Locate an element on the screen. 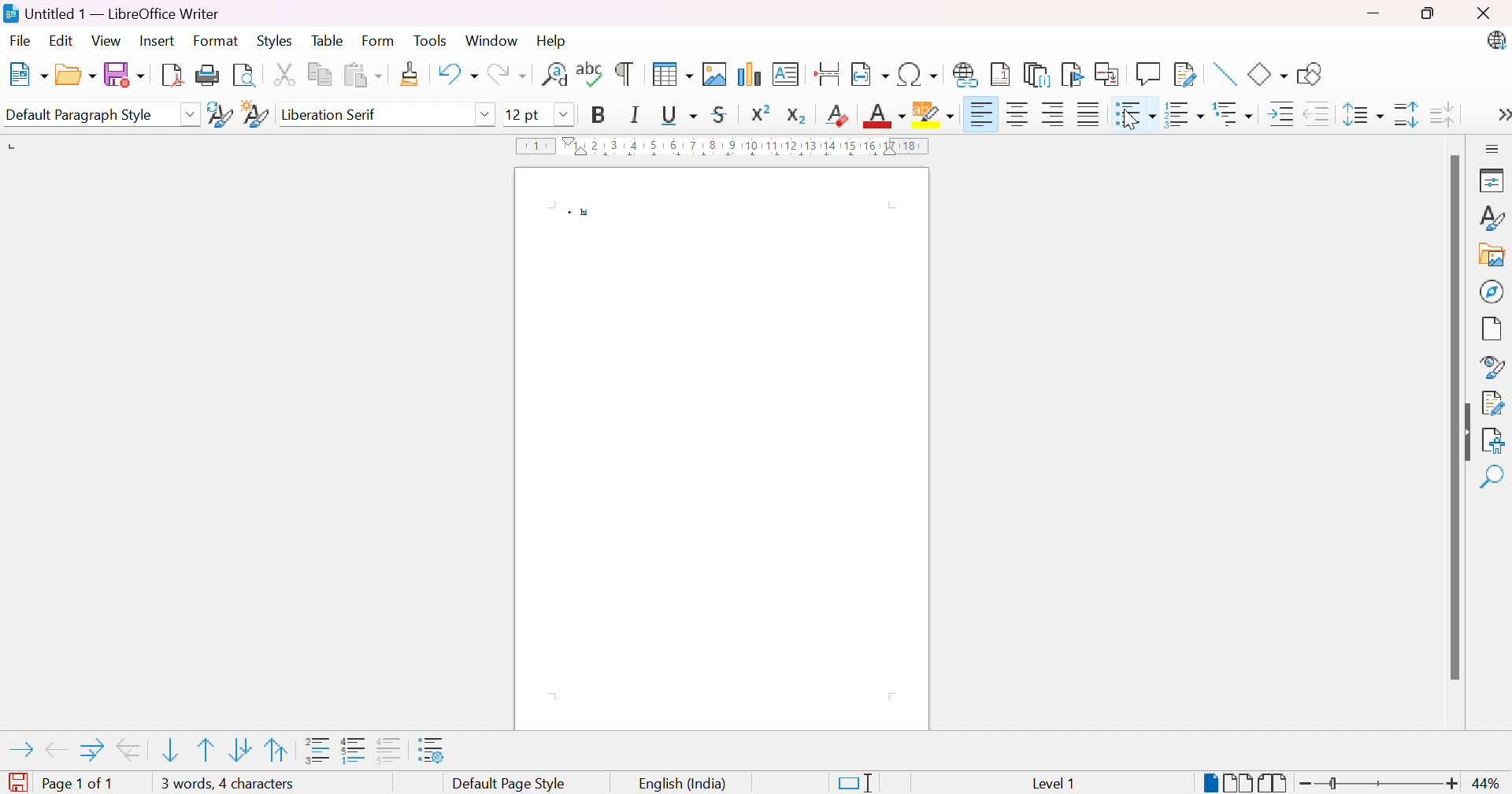  Subscript is located at coordinates (797, 117).